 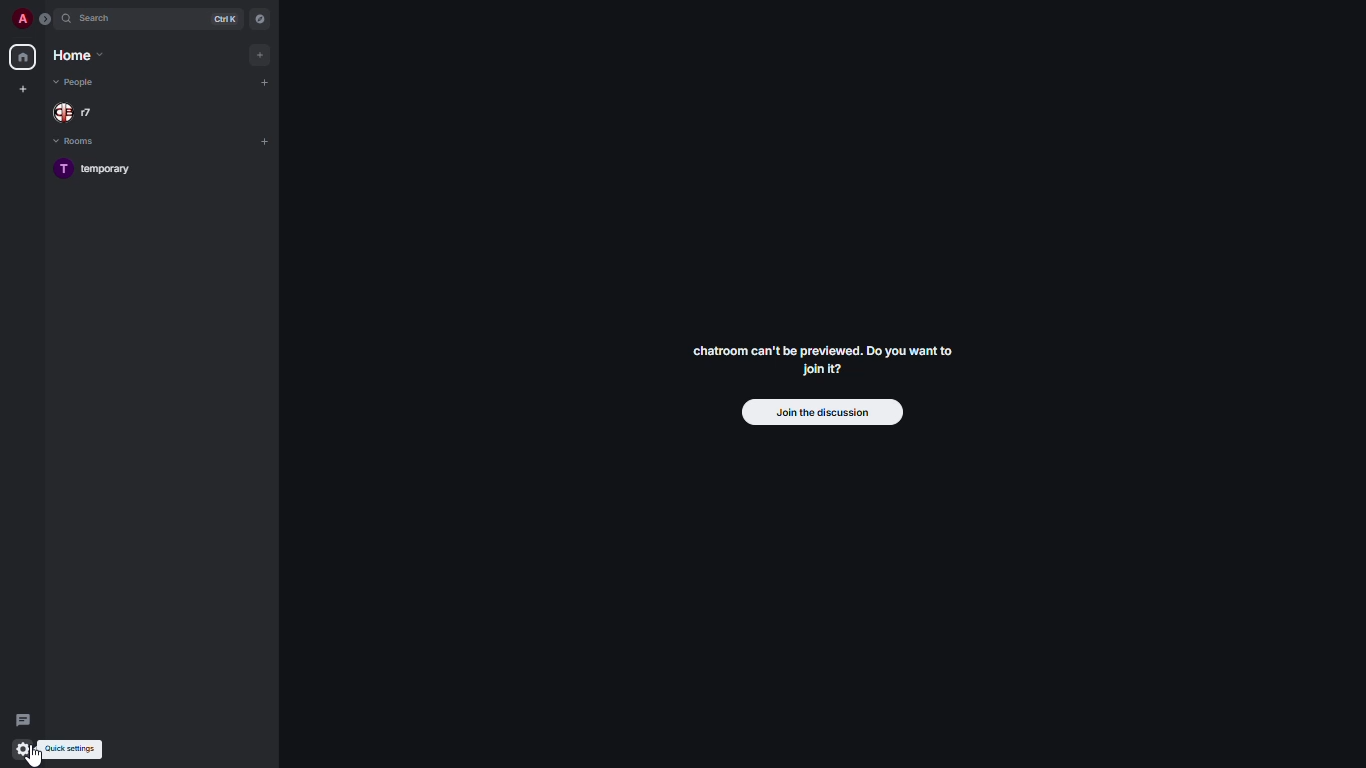 I want to click on room, so click(x=100, y=170).